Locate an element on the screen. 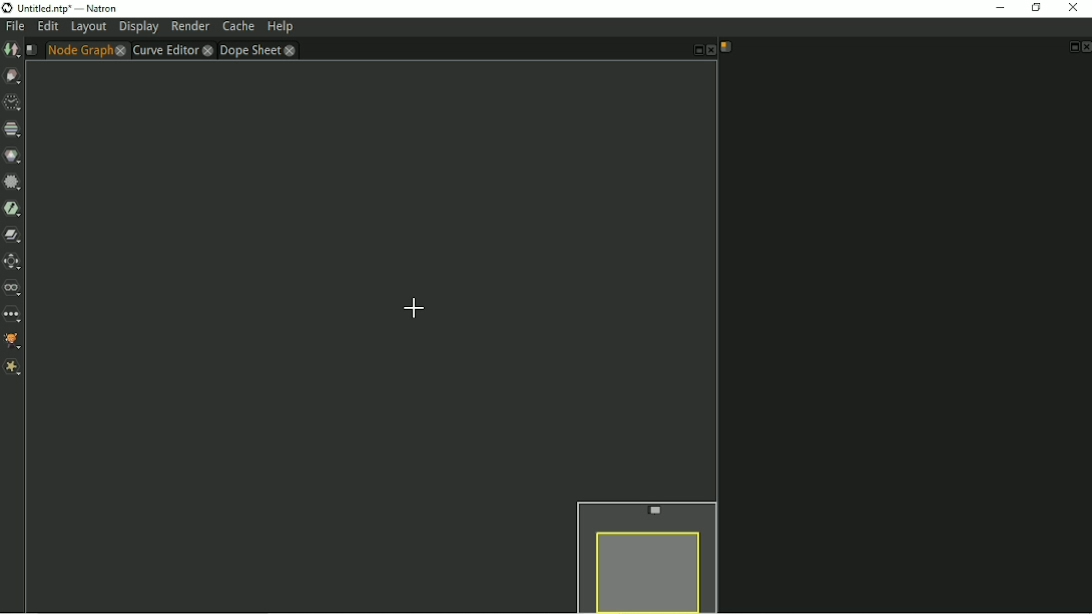 Image resolution: width=1092 pixels, height=614 pixels. Keyer is located at coordinates (13, 208).